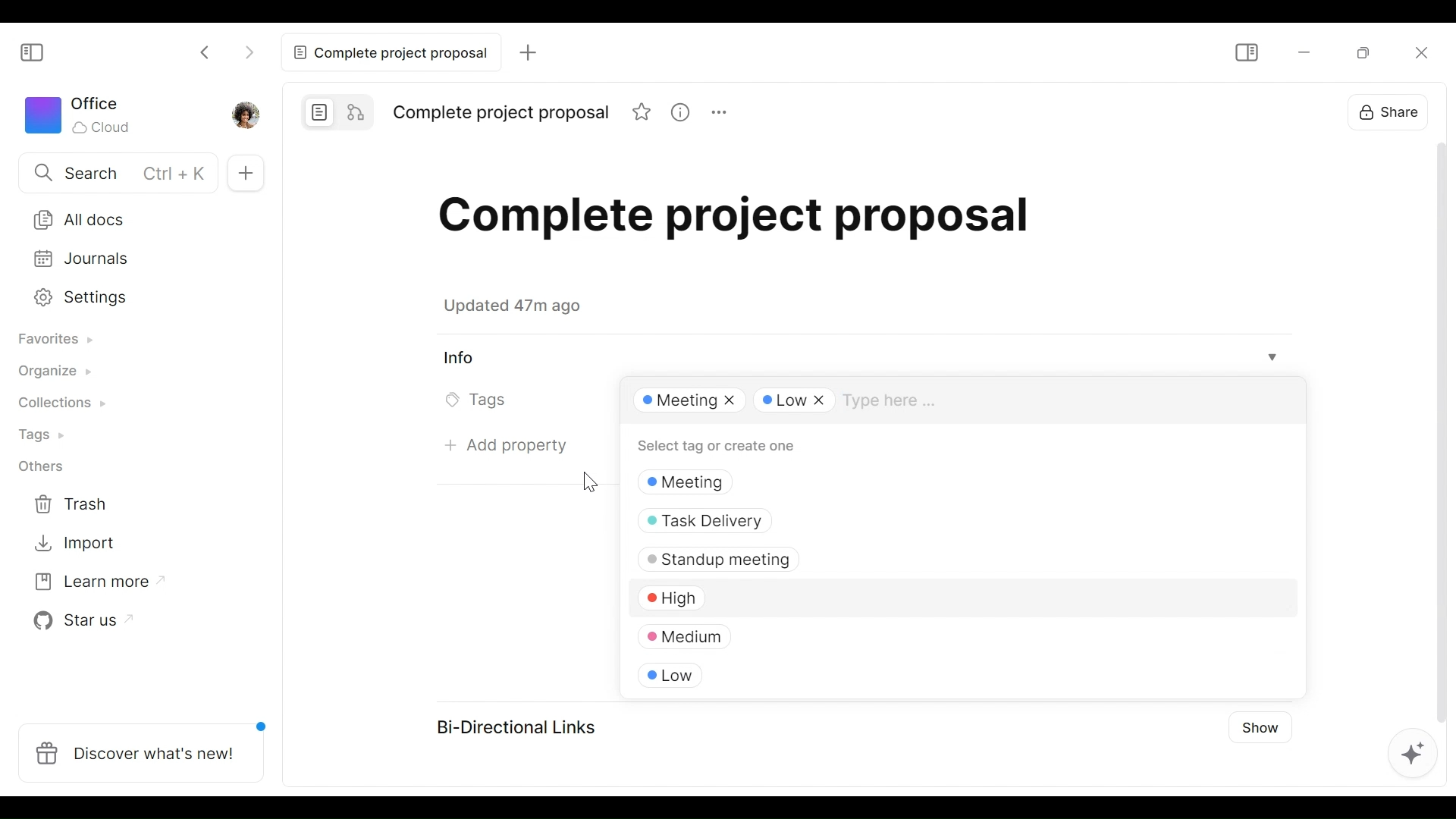  What do you see at coordinates (821, 595) in the screenshot?
I see `High` at bounding box center [821, 595].